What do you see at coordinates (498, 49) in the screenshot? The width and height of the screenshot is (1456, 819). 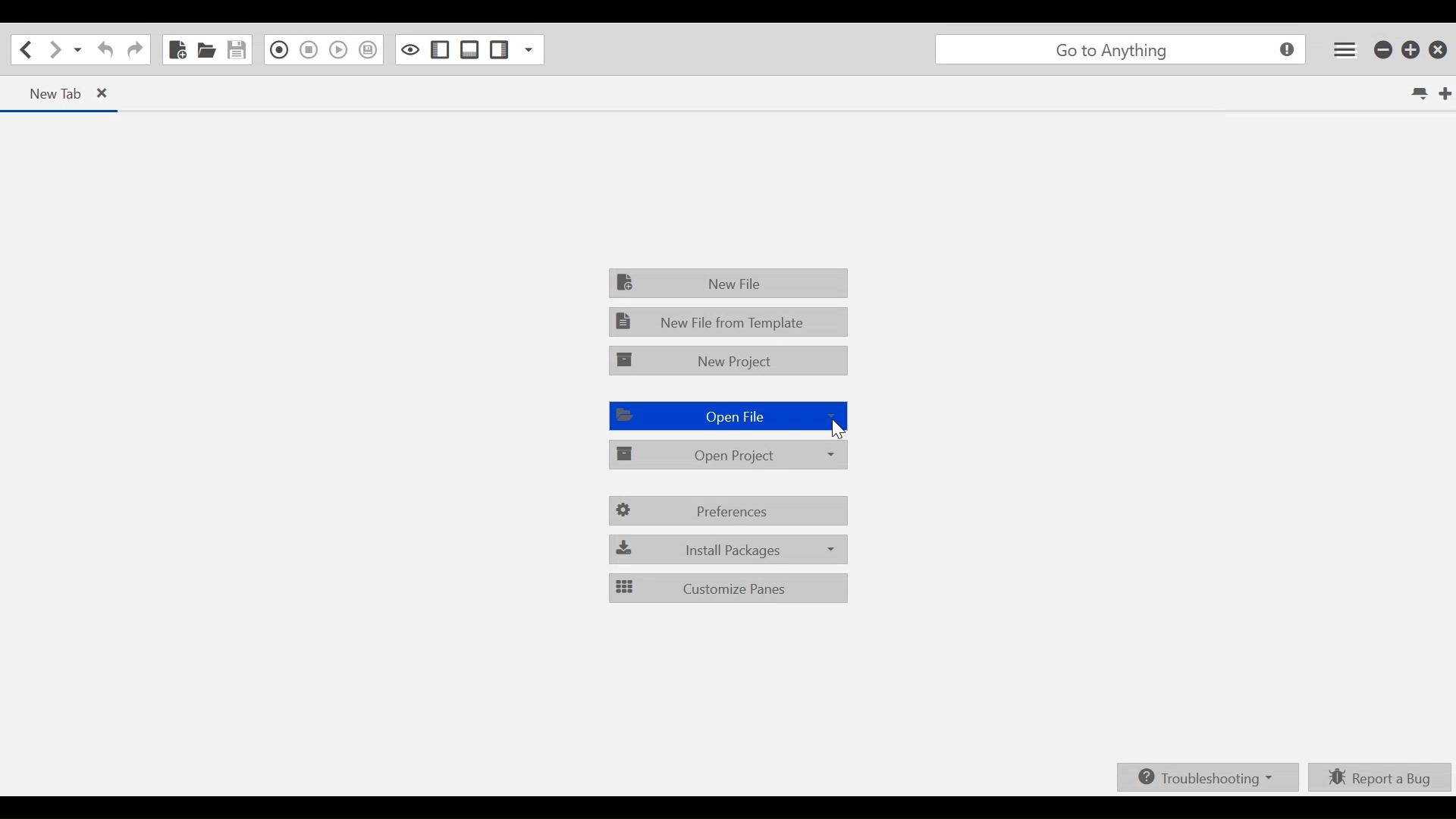 I see `Show/Hide Left Pane` at bounding box center [498, 49].